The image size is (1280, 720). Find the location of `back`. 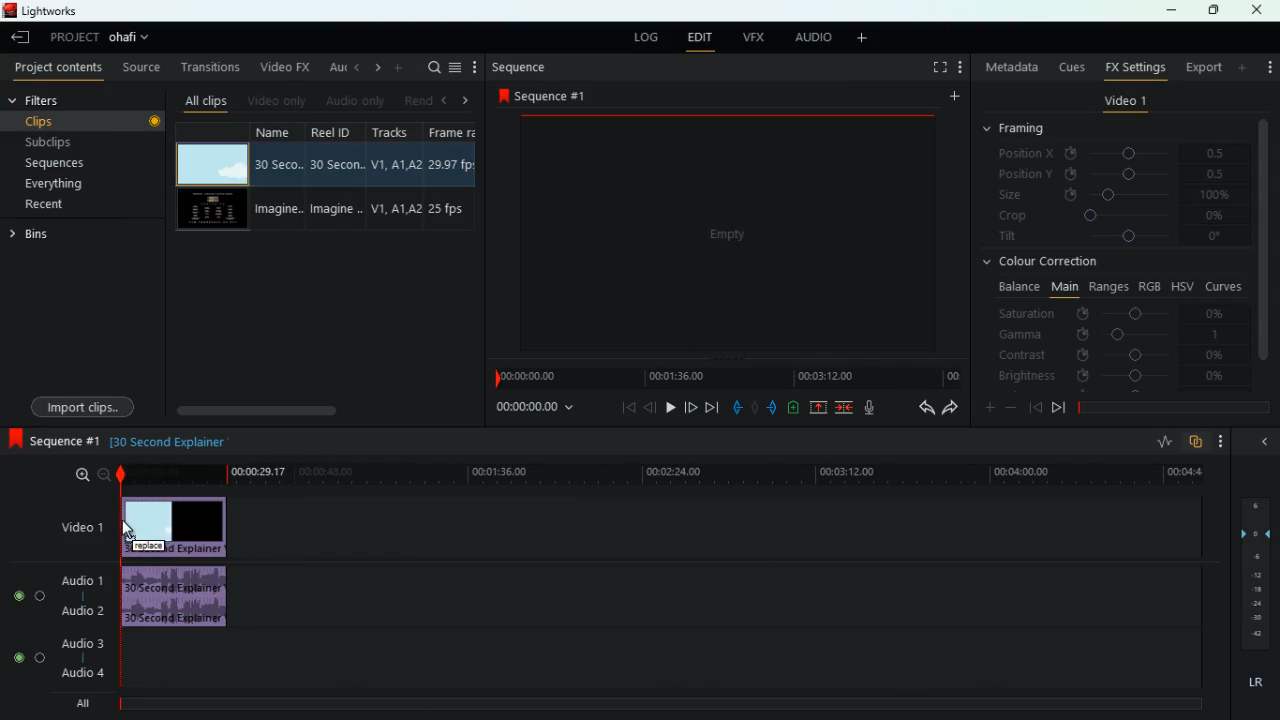

back is located at coordinates (922, 409).